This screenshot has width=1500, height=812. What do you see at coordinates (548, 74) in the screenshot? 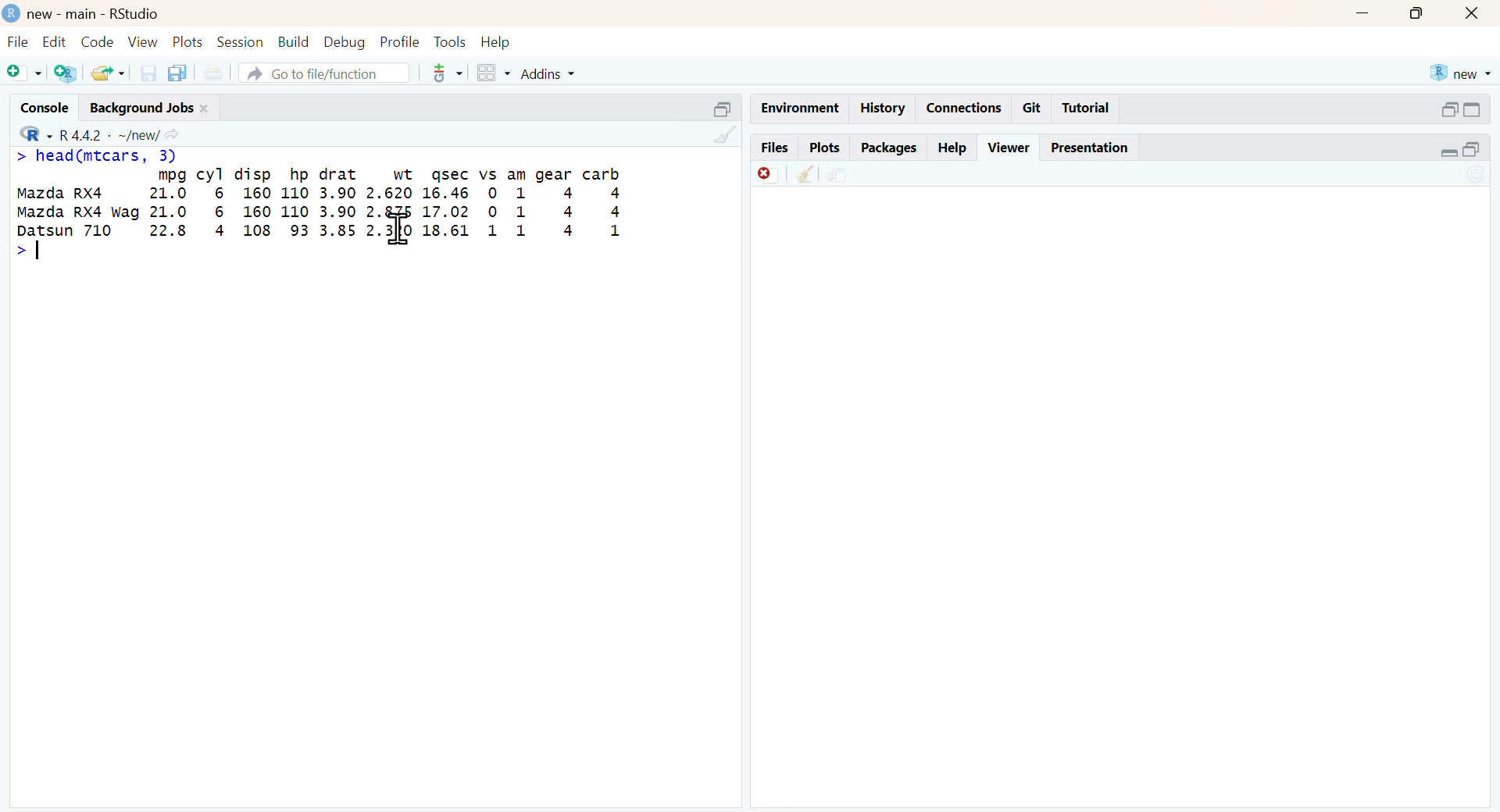
I see `Addins +` at bounding box center [548, 74].